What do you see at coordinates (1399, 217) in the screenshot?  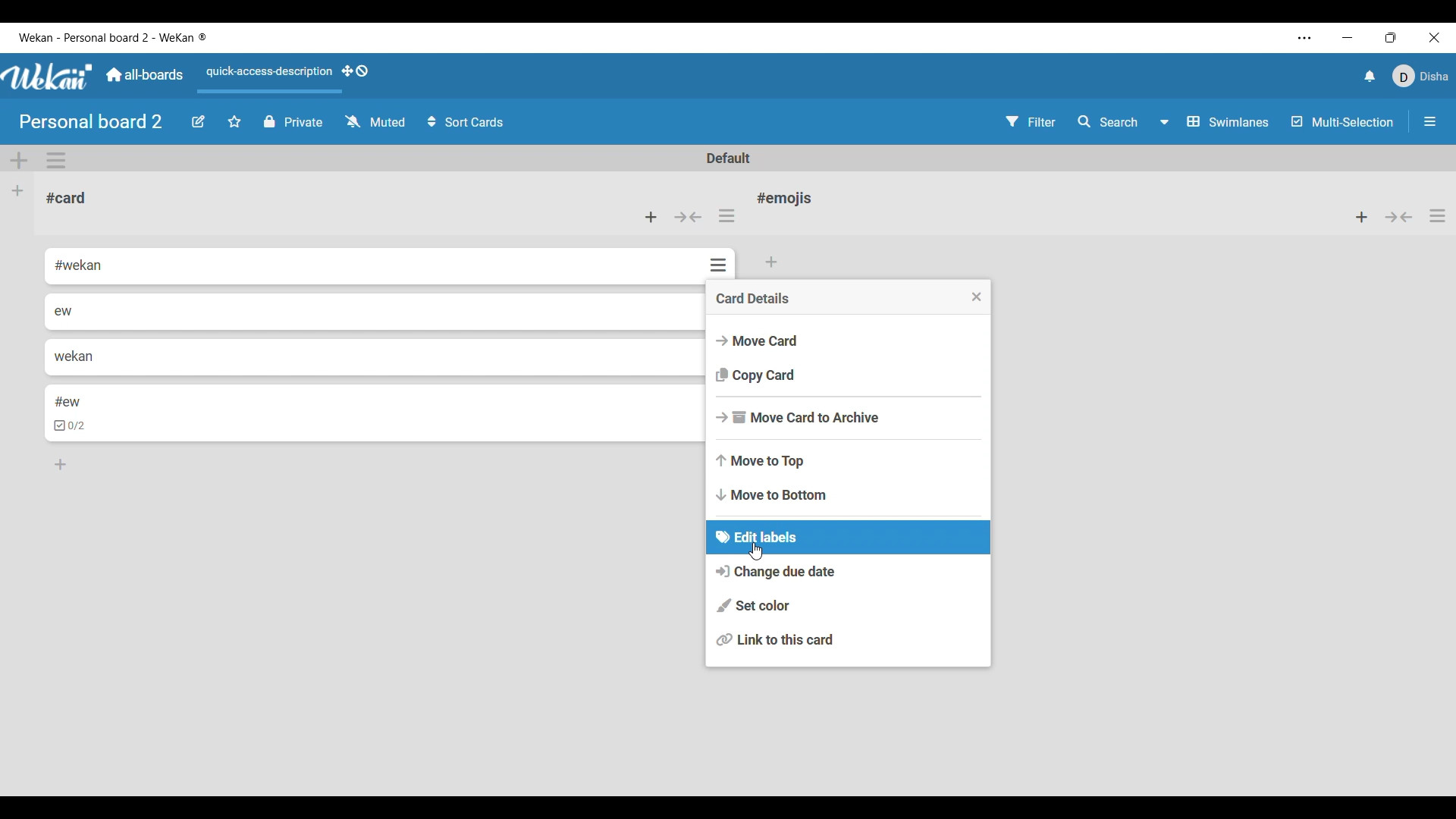 I see `Collapse` at bounding box center [1399, 217].